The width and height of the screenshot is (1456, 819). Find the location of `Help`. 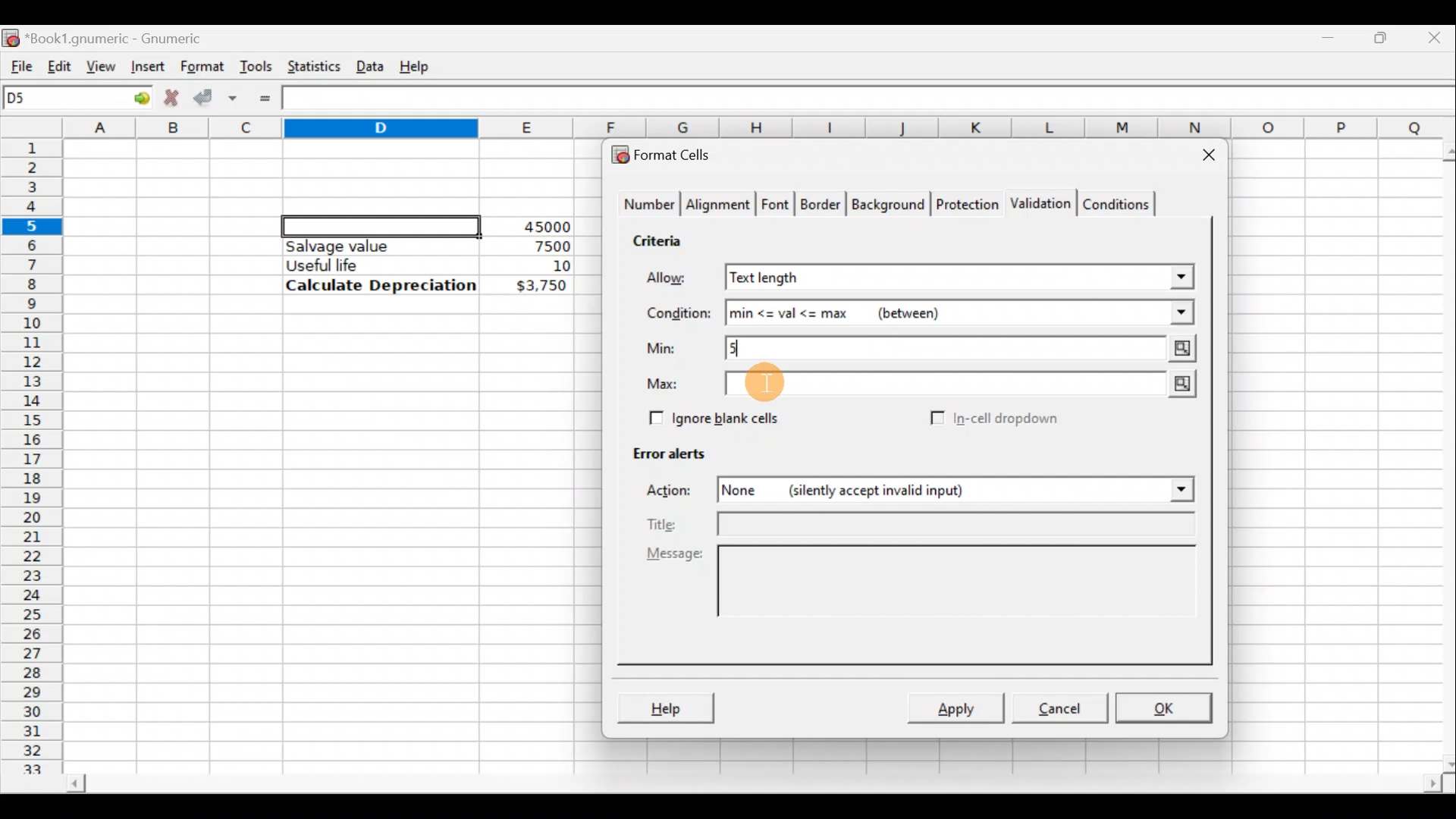

Help is located at coordinates (417, 65).